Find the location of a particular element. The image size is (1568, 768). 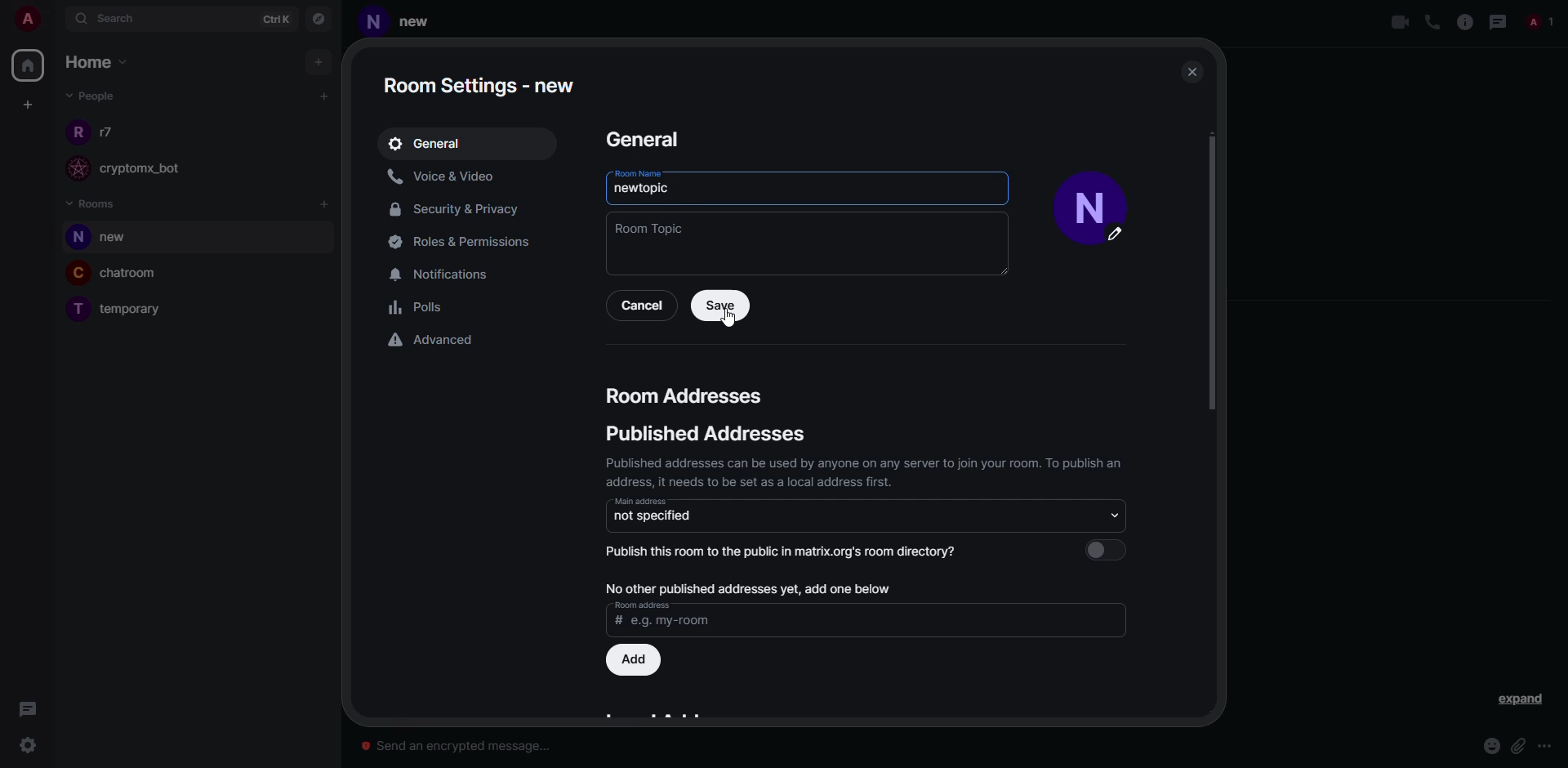

expand is located at coordinates (1520, 700).